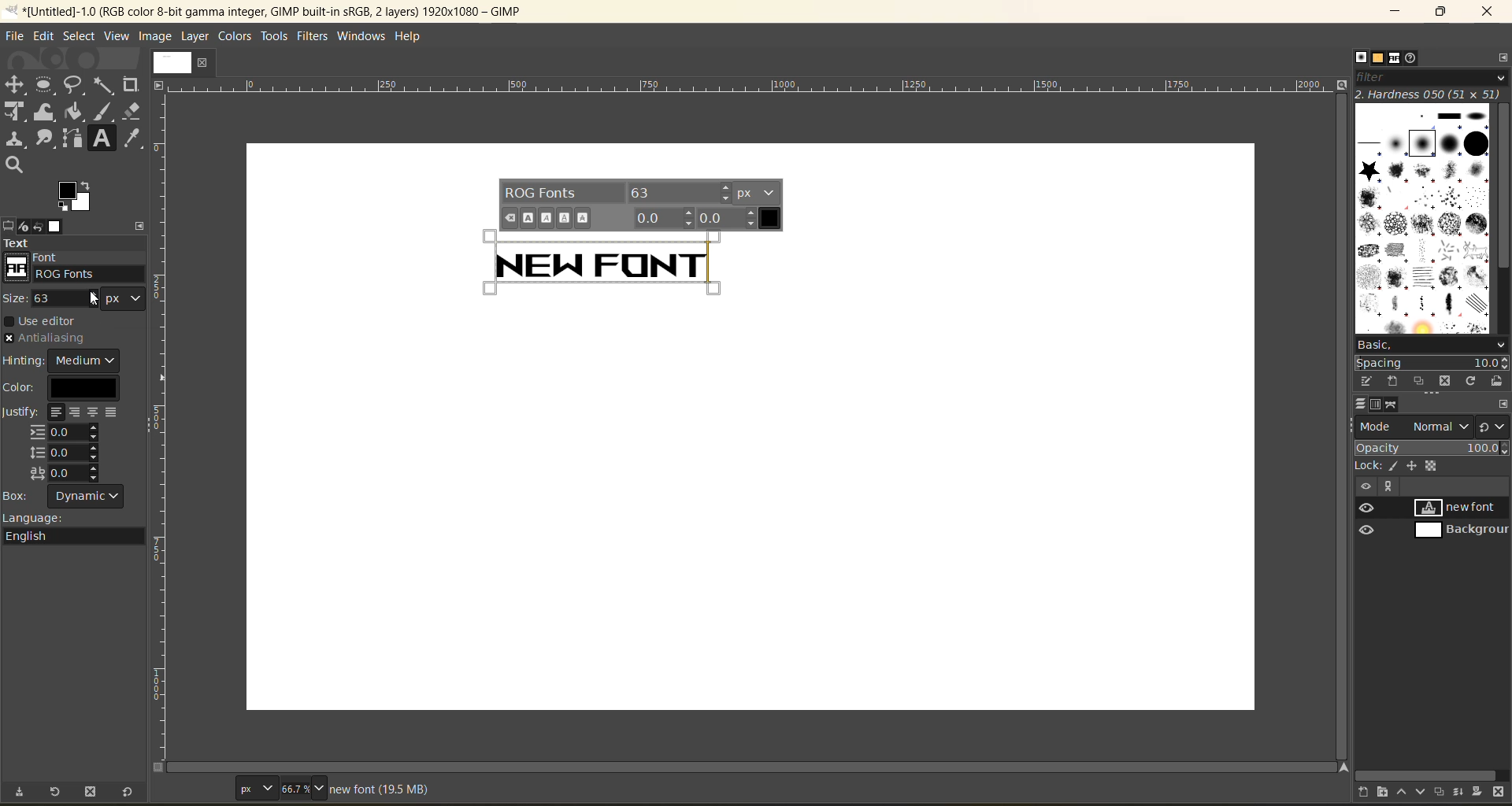 This screenshot has height=806, width=1512. I want to click on filters, so click(317, 37).